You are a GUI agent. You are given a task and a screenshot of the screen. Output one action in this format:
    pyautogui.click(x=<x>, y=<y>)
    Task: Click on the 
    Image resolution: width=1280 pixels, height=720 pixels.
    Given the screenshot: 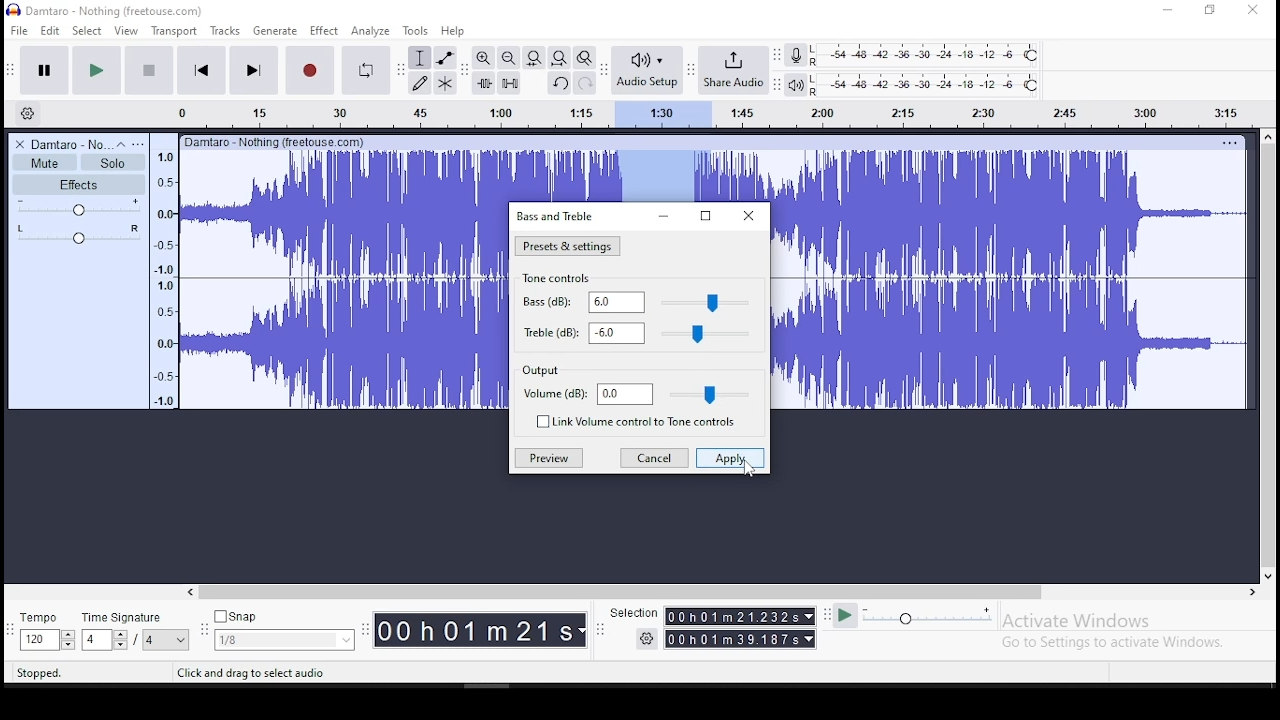 What is the action you would take?
    pyautogui.click(x=690, y=70)
    